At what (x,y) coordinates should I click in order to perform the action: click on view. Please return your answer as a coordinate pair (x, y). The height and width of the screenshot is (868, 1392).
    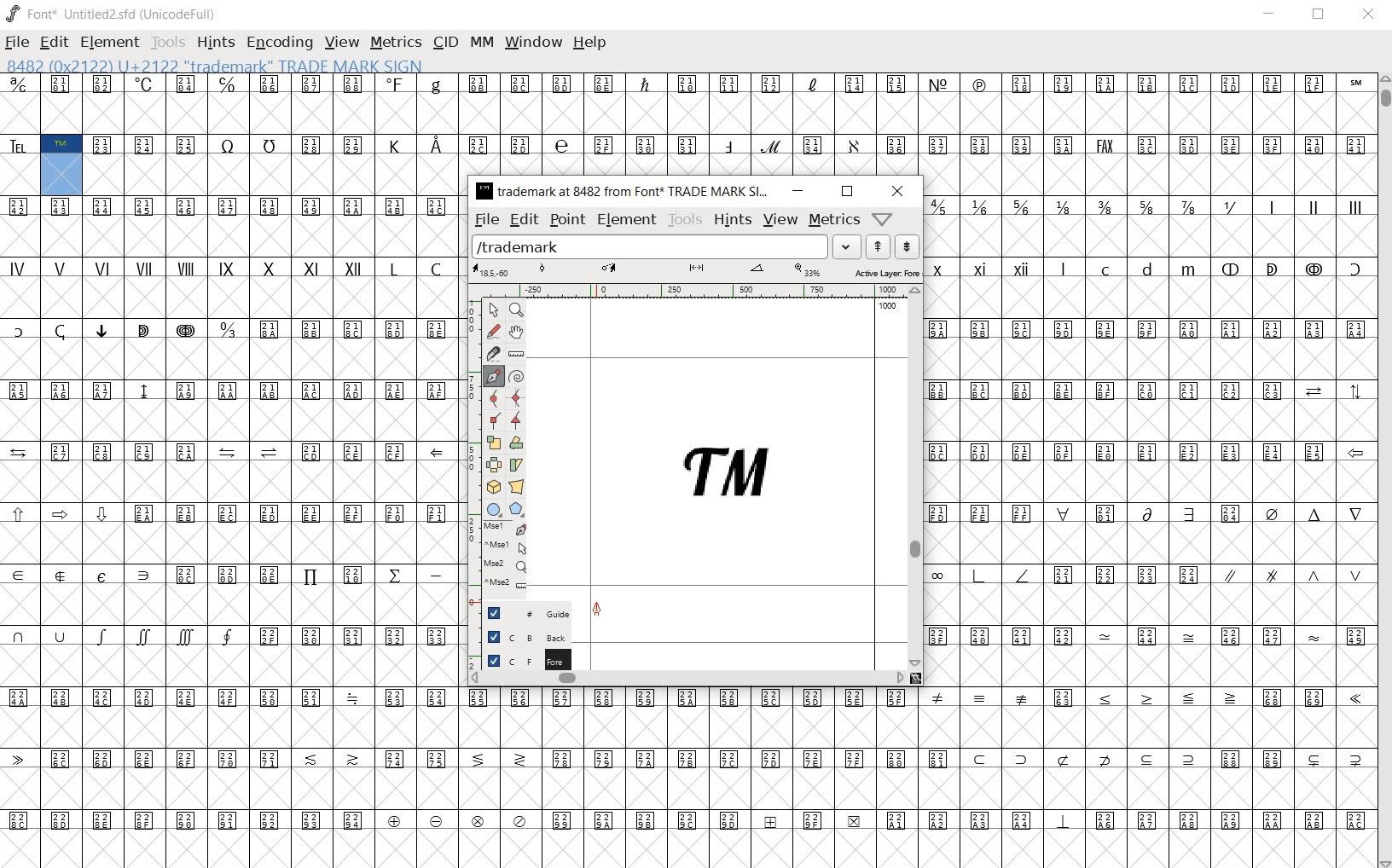
    Looking at the image, I should click on (780, 220).